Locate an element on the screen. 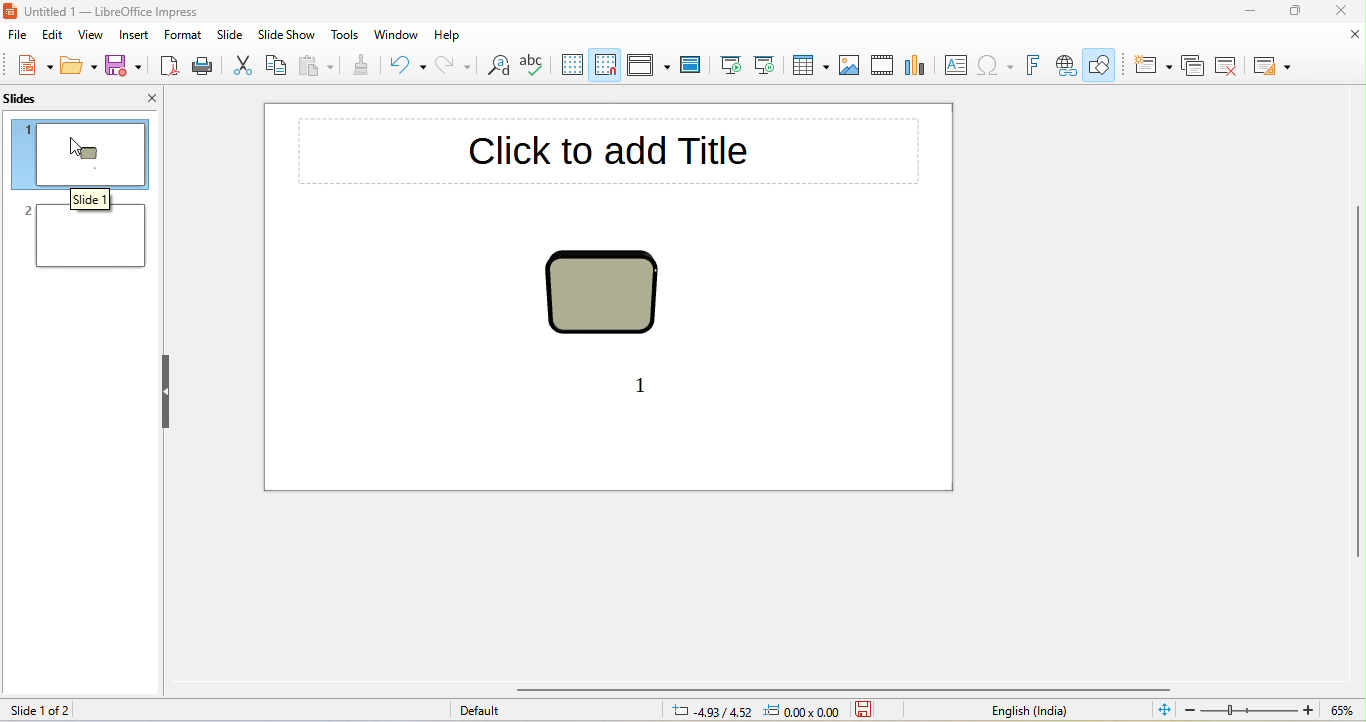  slide is located at coordinates (228, 36).